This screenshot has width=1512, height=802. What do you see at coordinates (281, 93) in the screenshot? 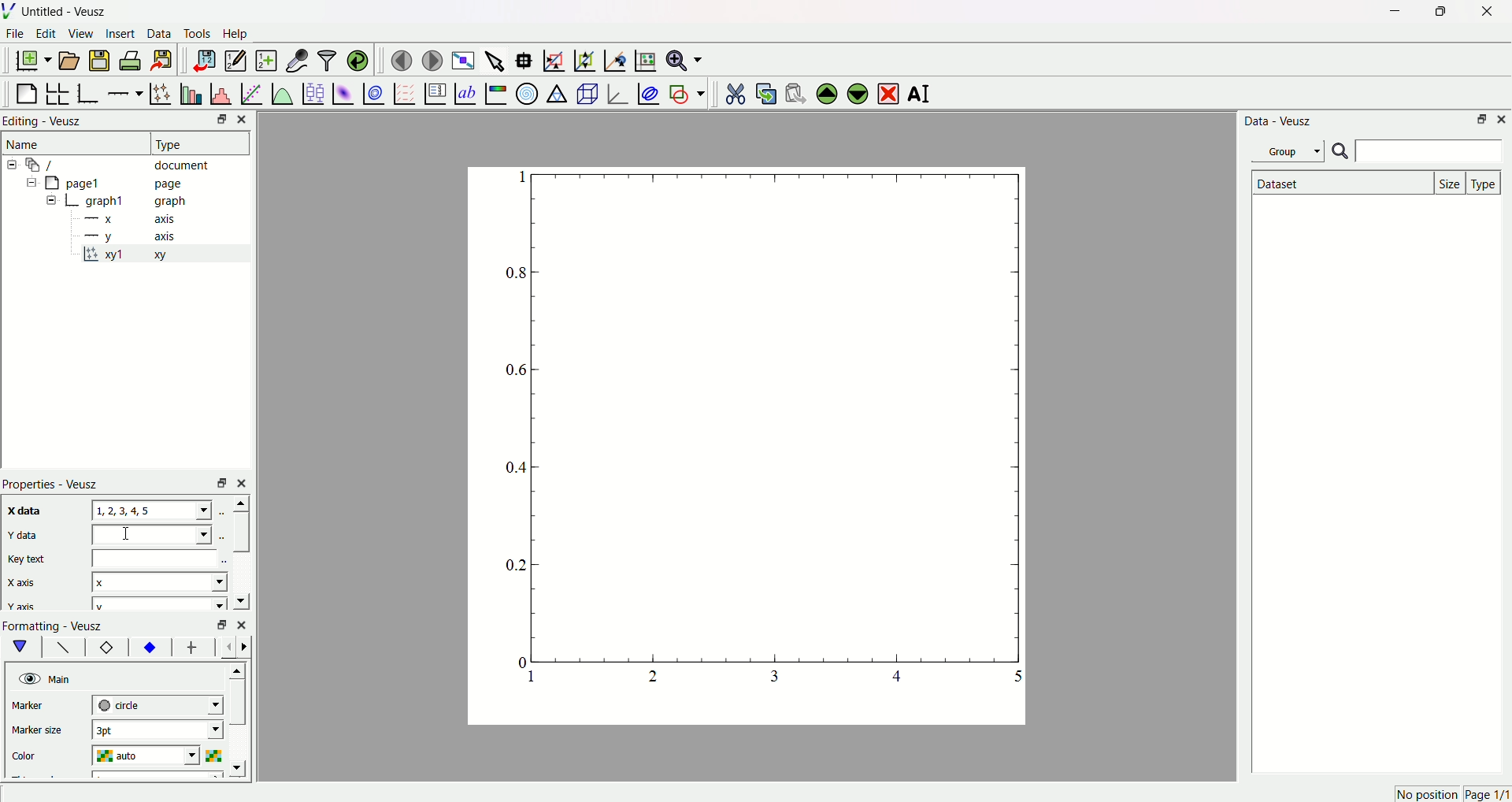
I see `plot a function` at bounding box center [281, 93].